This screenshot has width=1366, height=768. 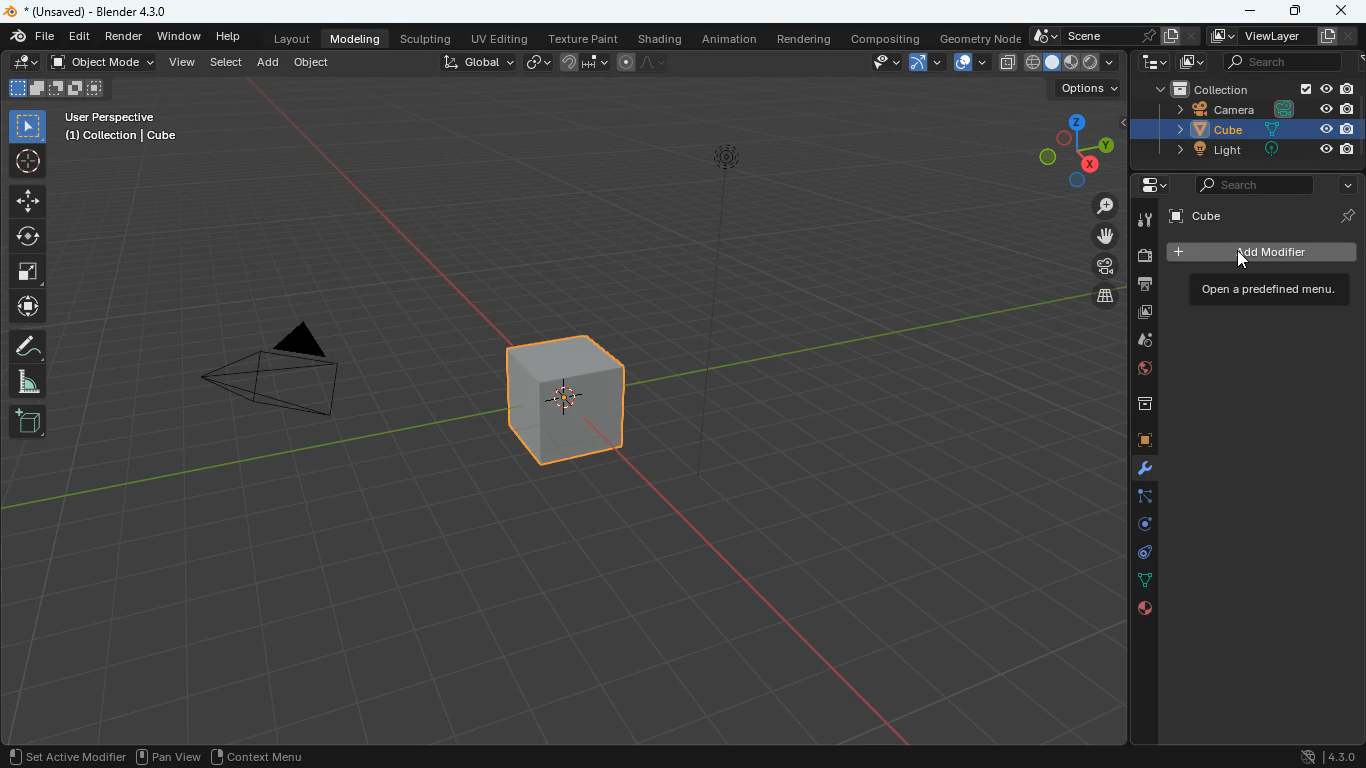 I want to click on shading, so click(x=660, y=39).